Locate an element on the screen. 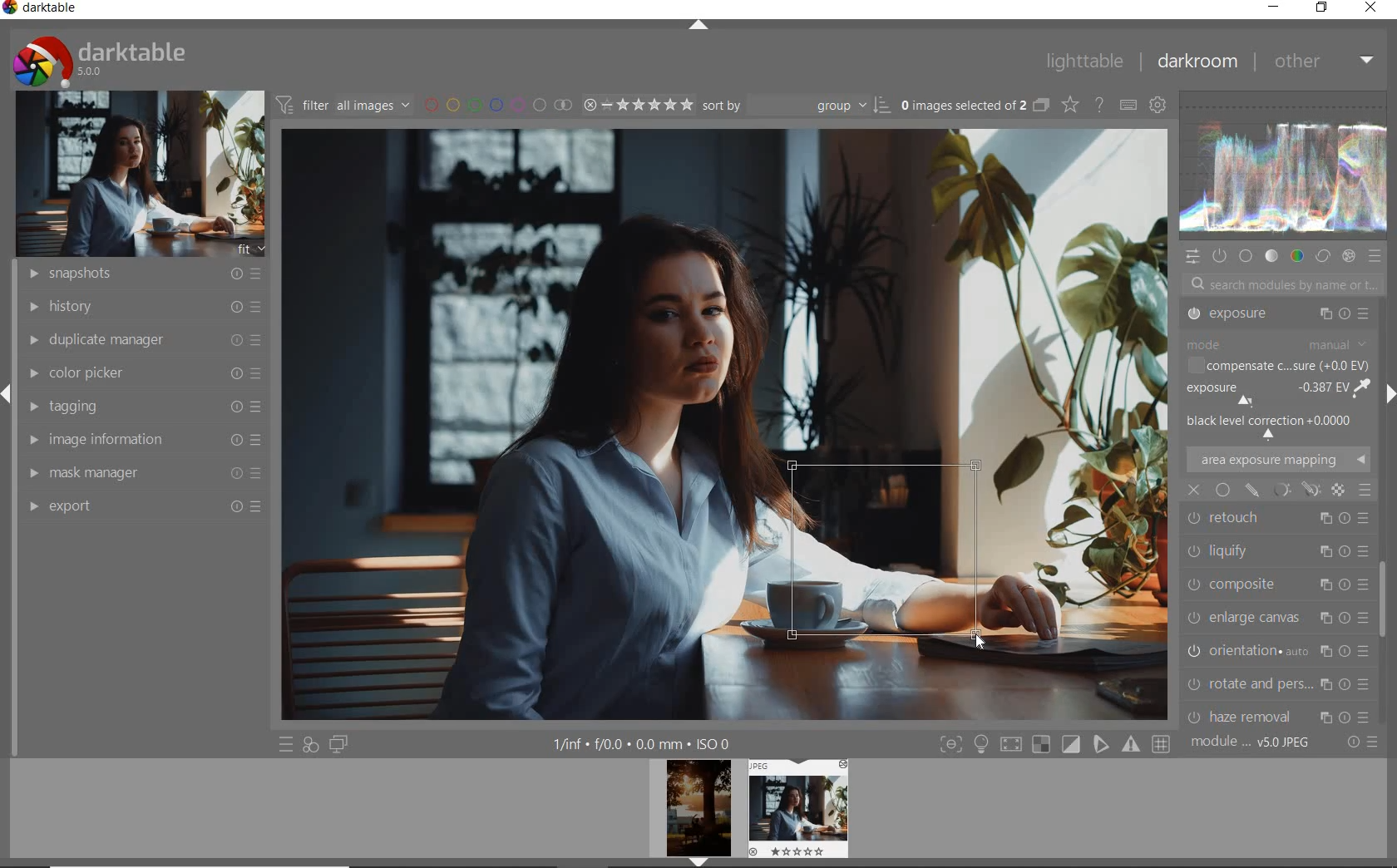  SYSTEM NAME is located at coordinates (42, 11).